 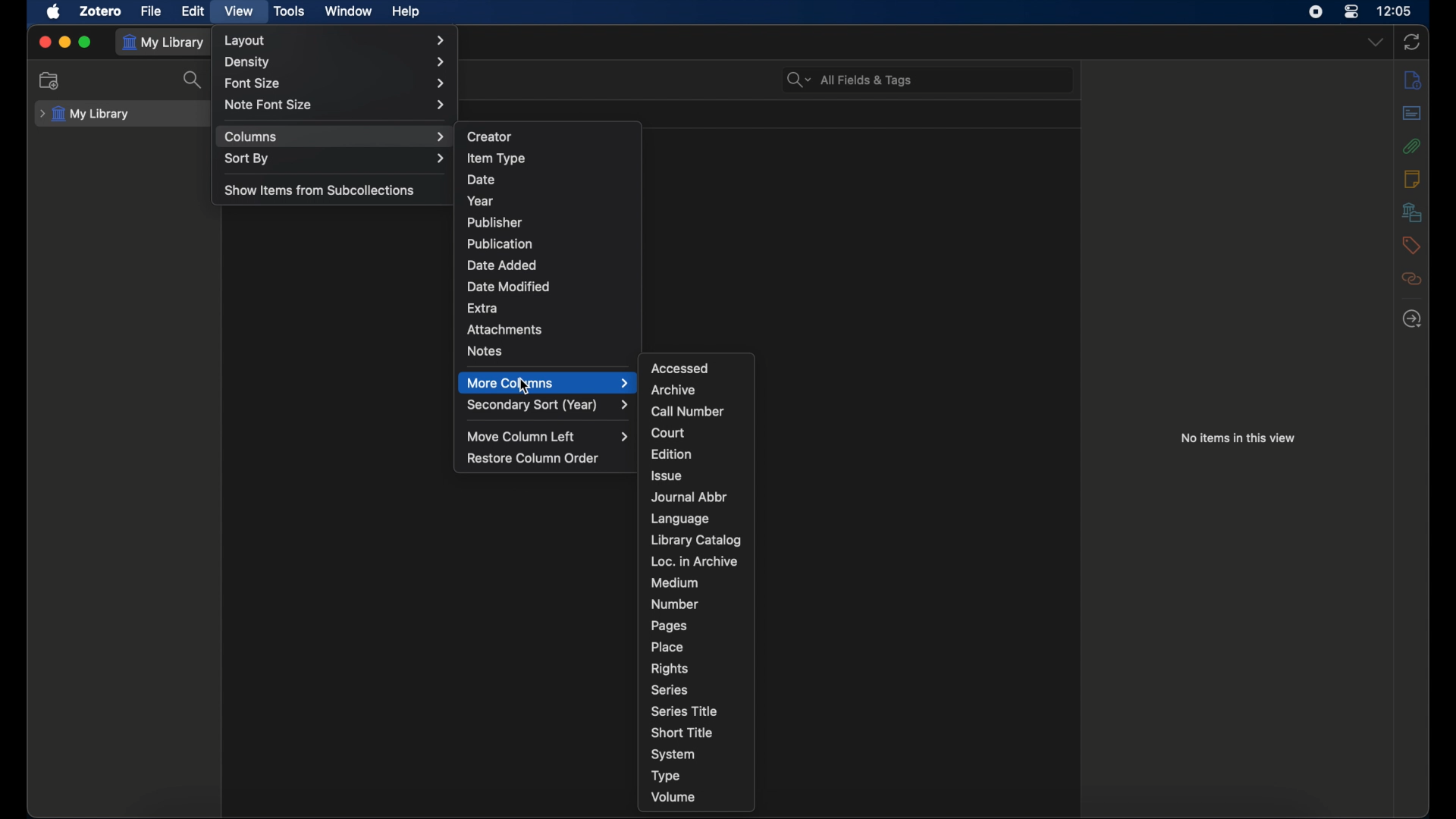 I want to click on language, so click(x=681, y=519).